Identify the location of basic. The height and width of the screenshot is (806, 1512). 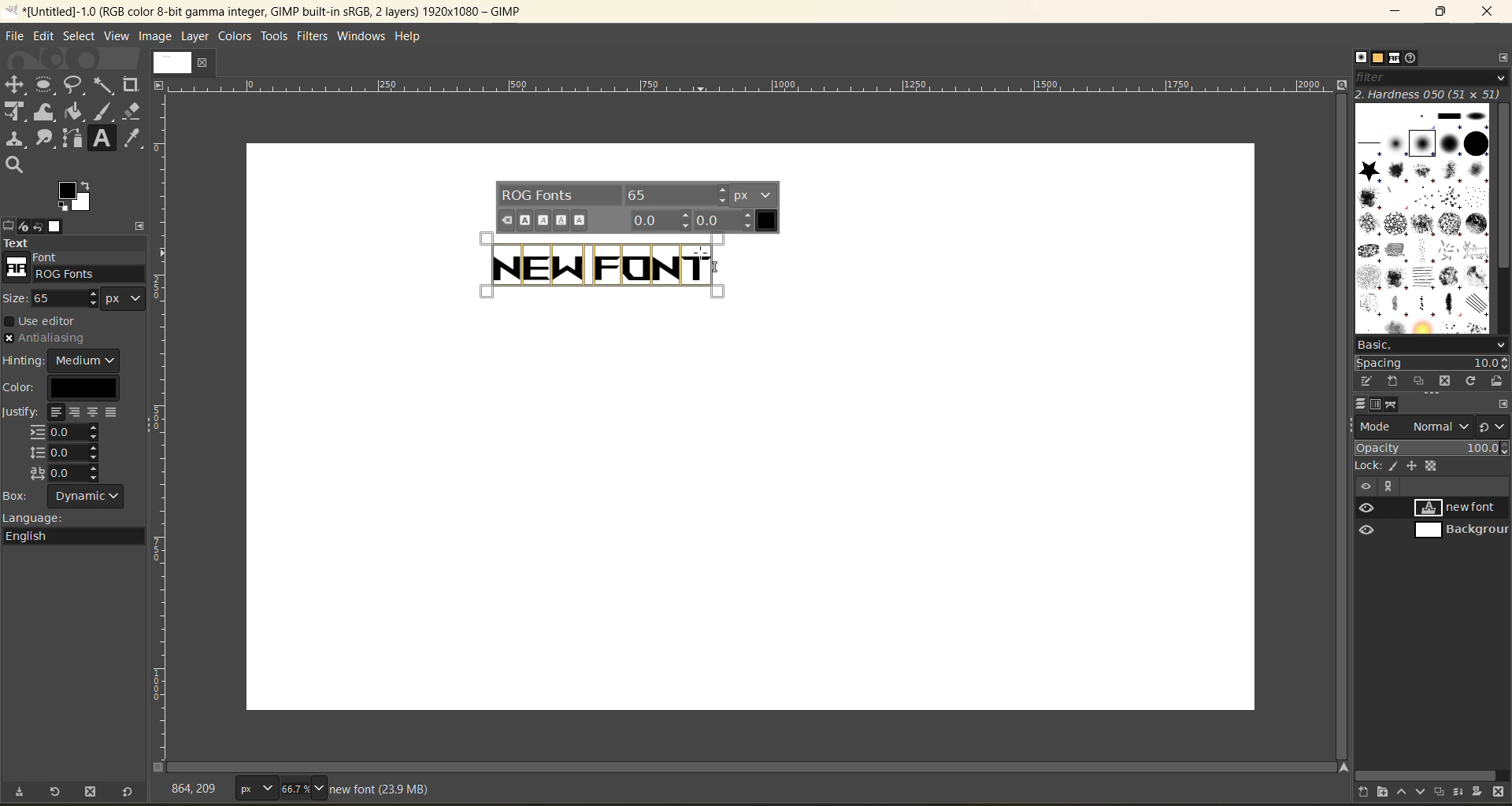
(1432, 346).